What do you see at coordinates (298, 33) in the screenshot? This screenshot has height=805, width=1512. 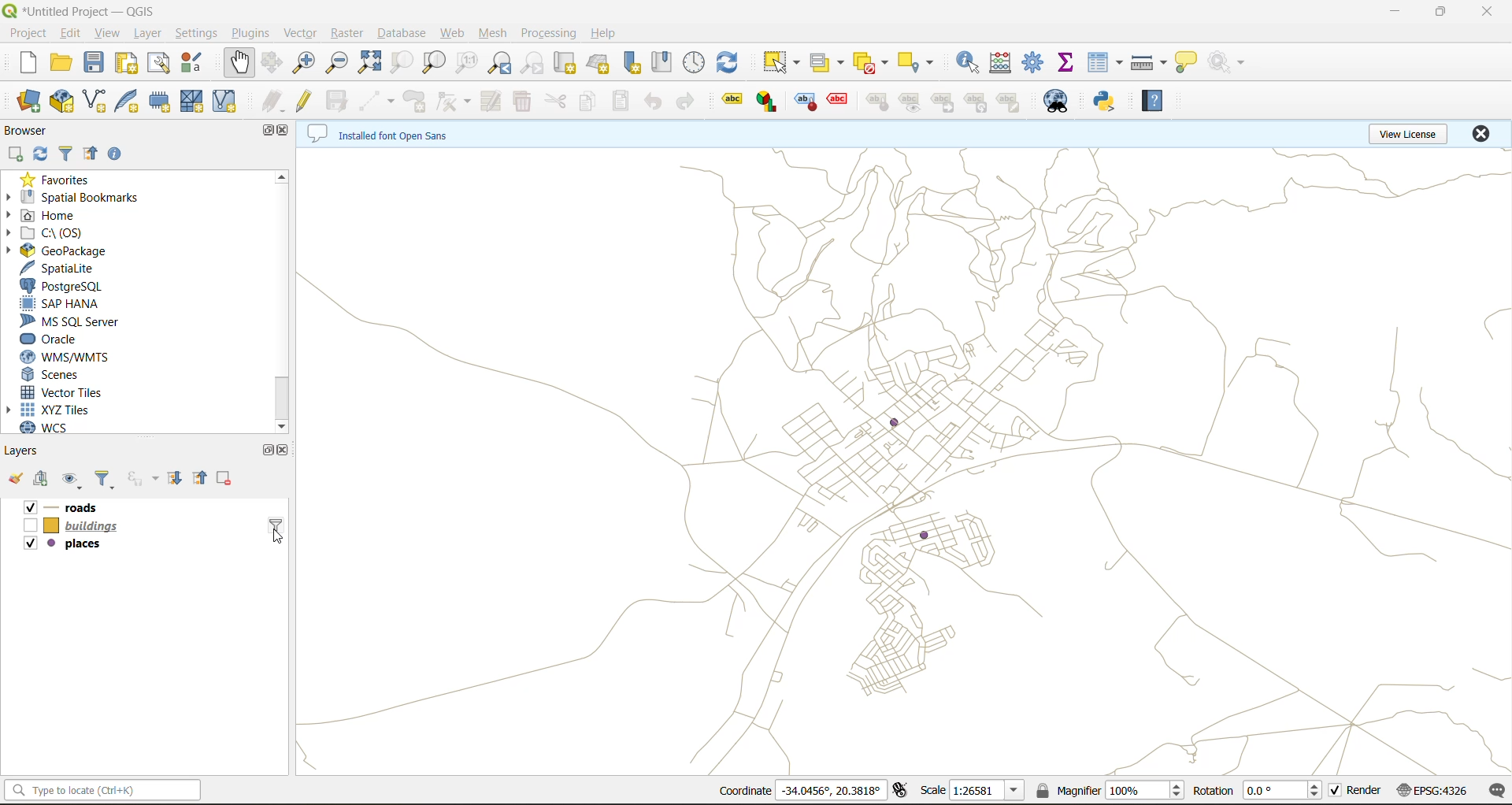 I see `vector` at bounding box center [298, 33].